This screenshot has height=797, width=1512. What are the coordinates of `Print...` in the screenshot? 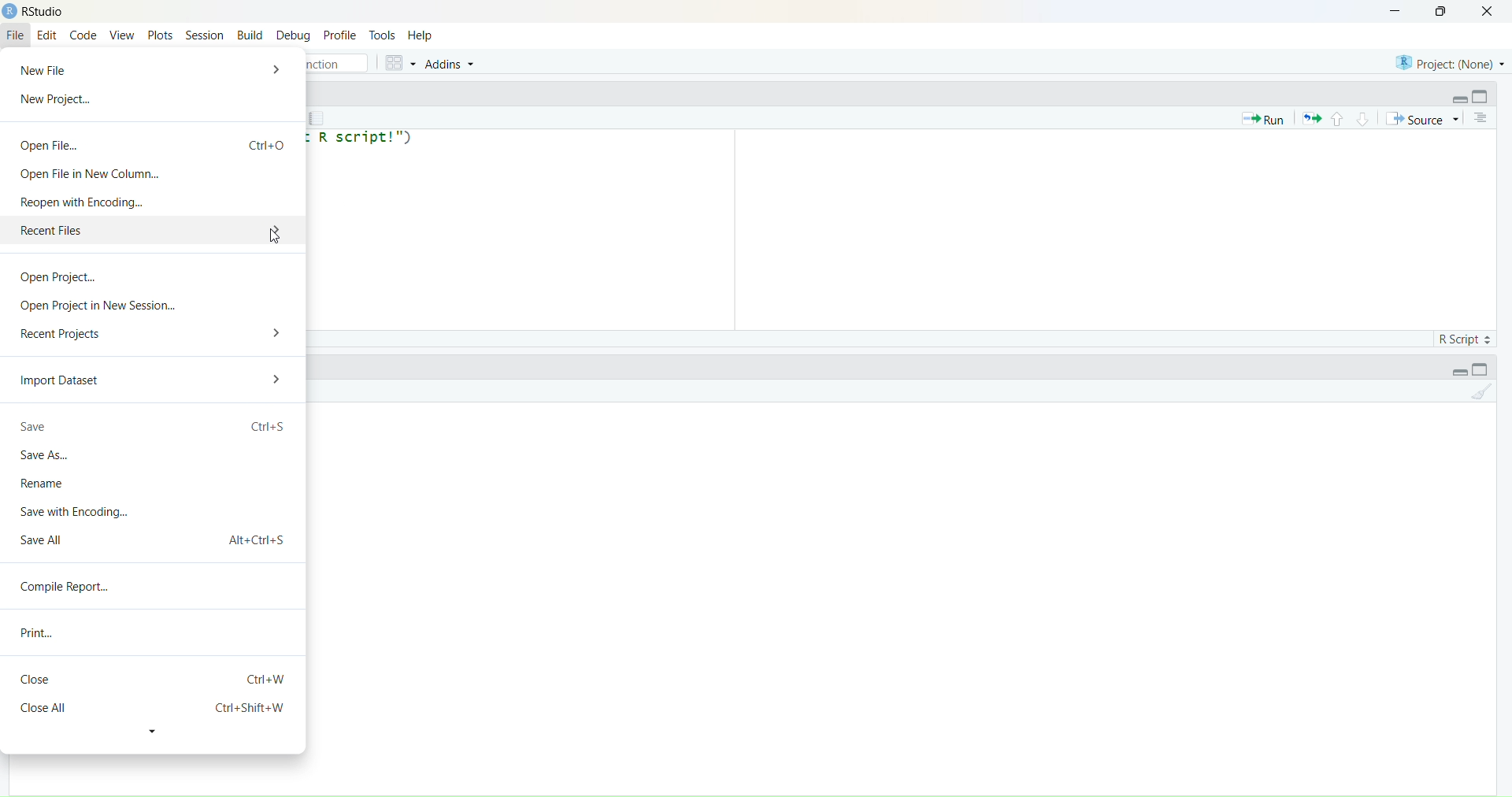 It's located at (42, 632).